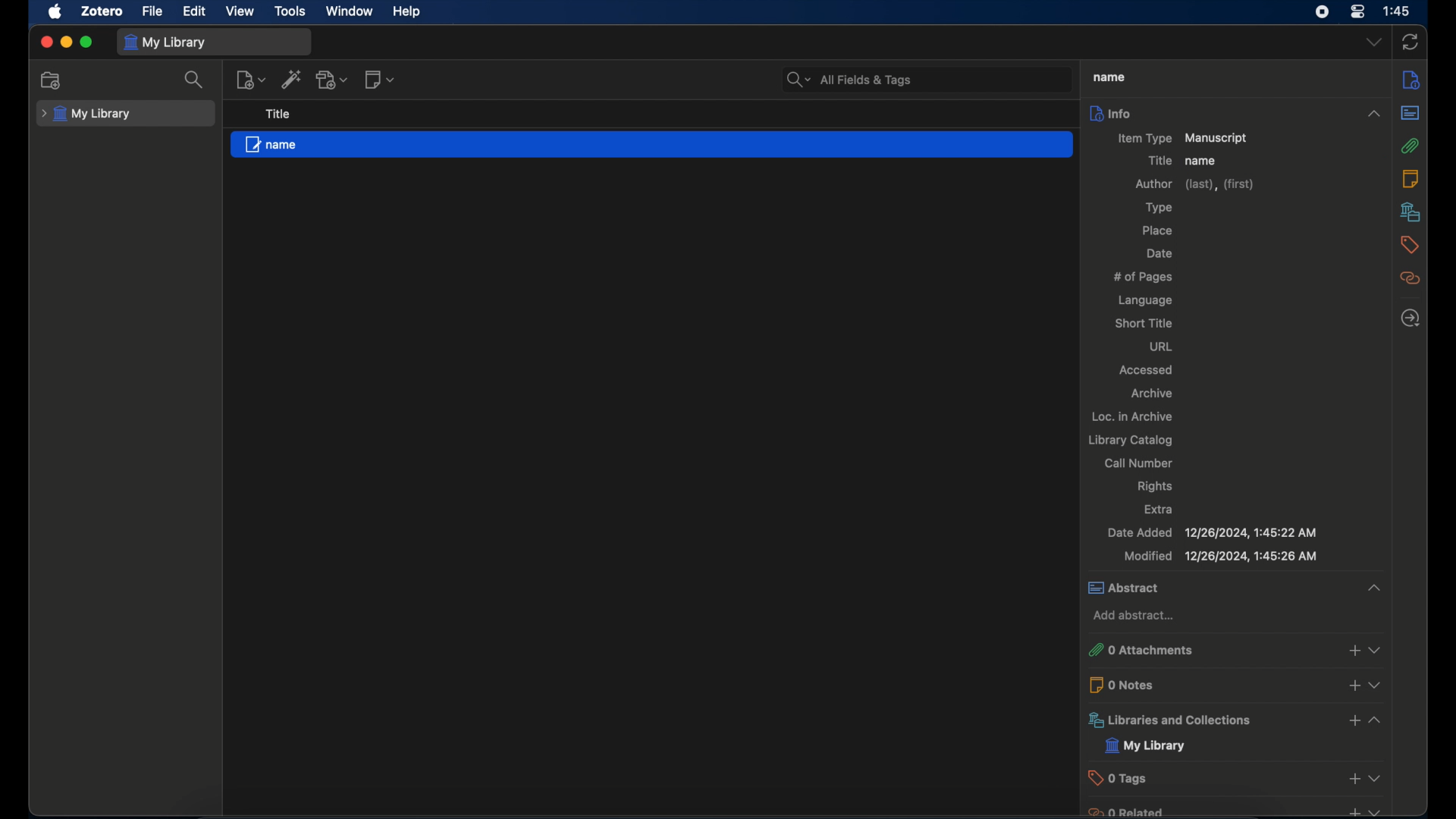 The image size is (1456, 819). Describe the element at coordinates (1410, 278) in the screenshot. I see `related` at that location.